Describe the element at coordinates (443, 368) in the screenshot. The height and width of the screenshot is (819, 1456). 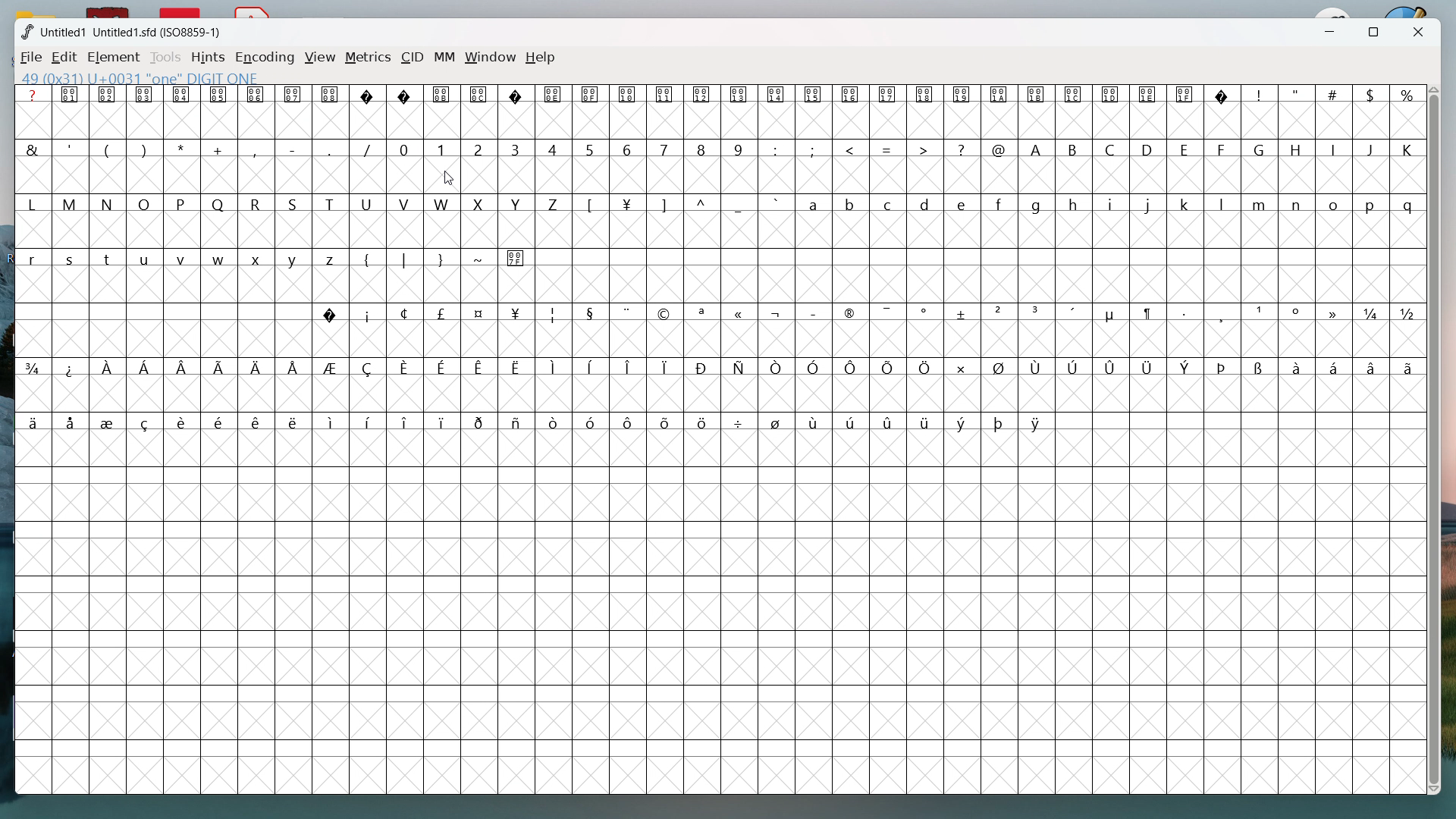
I see `symbol` at that location.